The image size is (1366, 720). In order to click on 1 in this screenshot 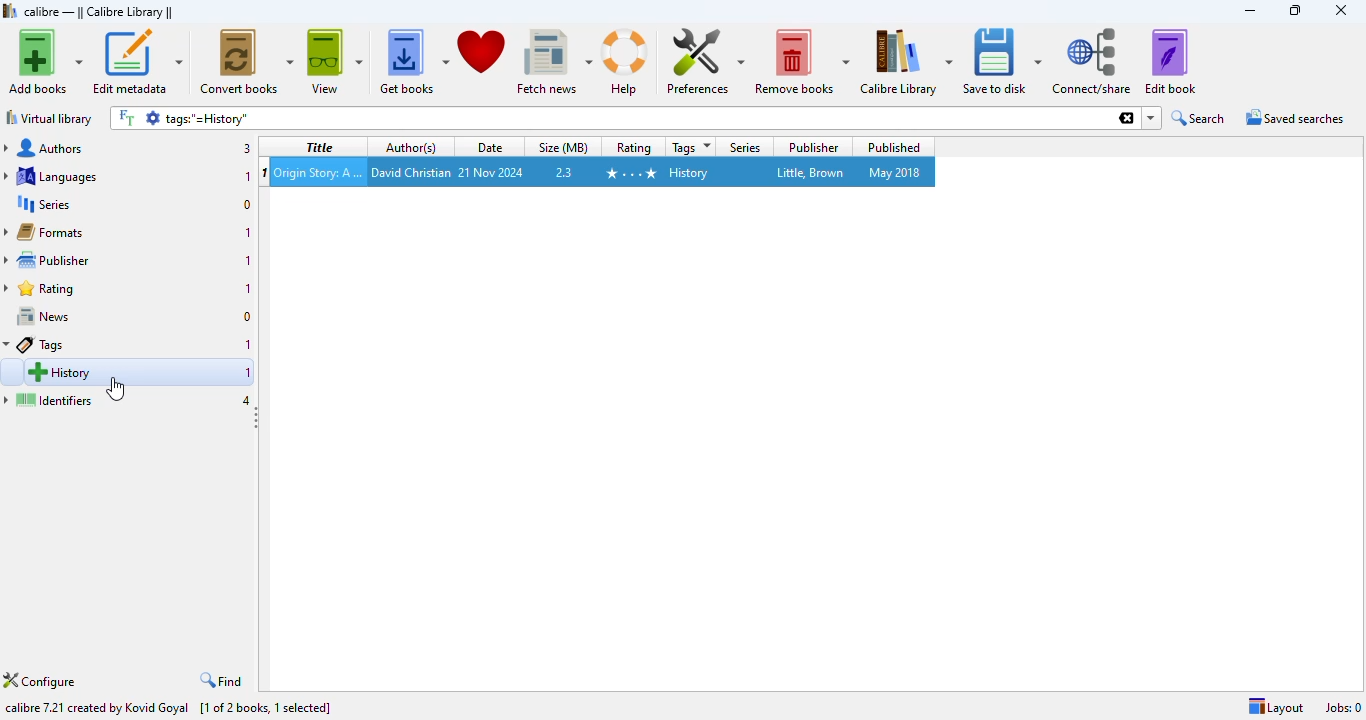, I will do `click(249, 232)`.